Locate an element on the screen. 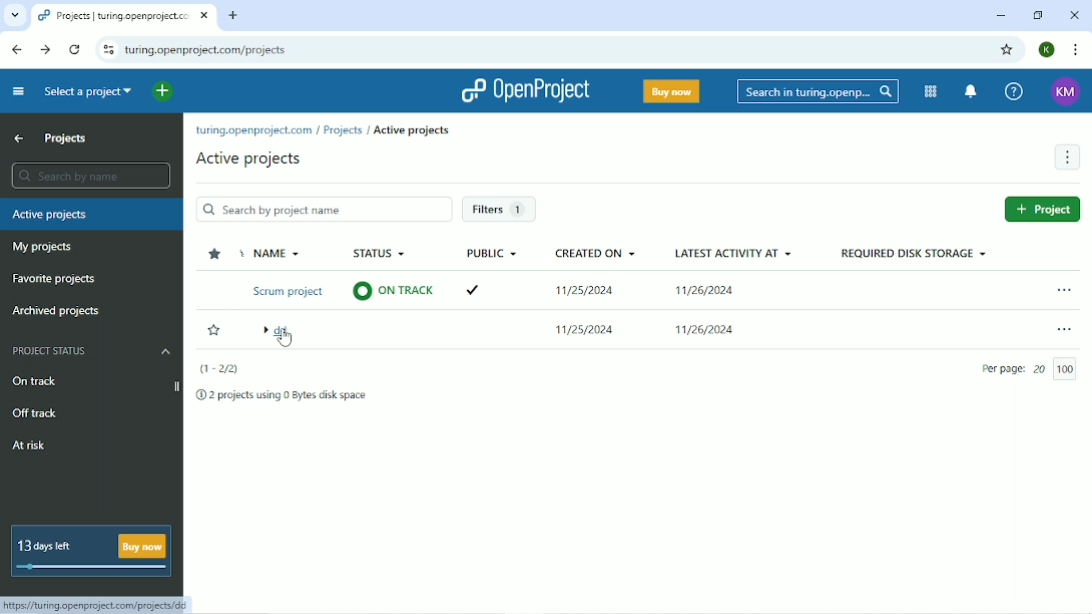 This screenshot has height=614, width=1092. 11/25/2024 is located at coordinates (701, 332).